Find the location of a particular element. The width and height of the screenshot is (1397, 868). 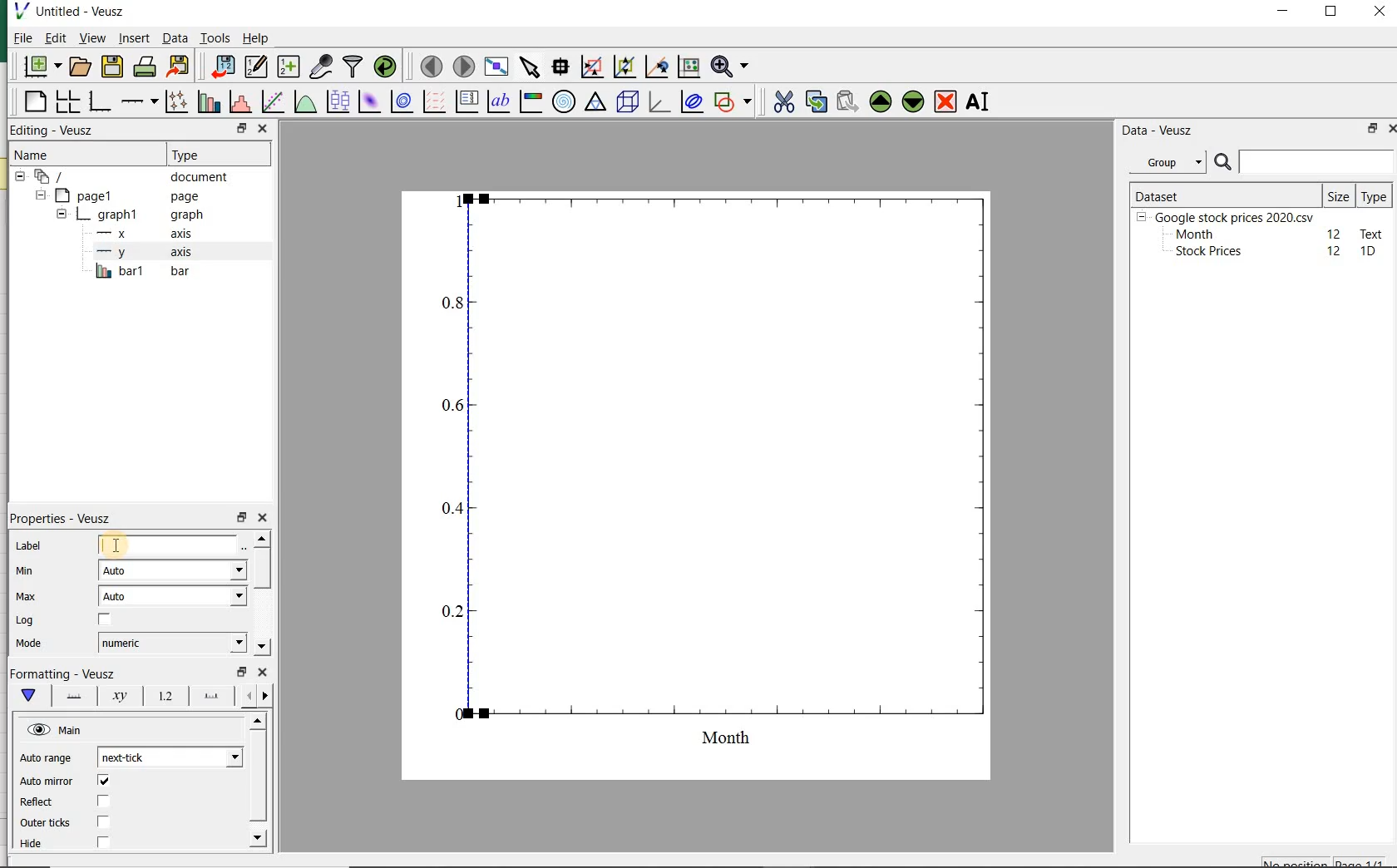

tick labels is located at coordinates (162, 698).